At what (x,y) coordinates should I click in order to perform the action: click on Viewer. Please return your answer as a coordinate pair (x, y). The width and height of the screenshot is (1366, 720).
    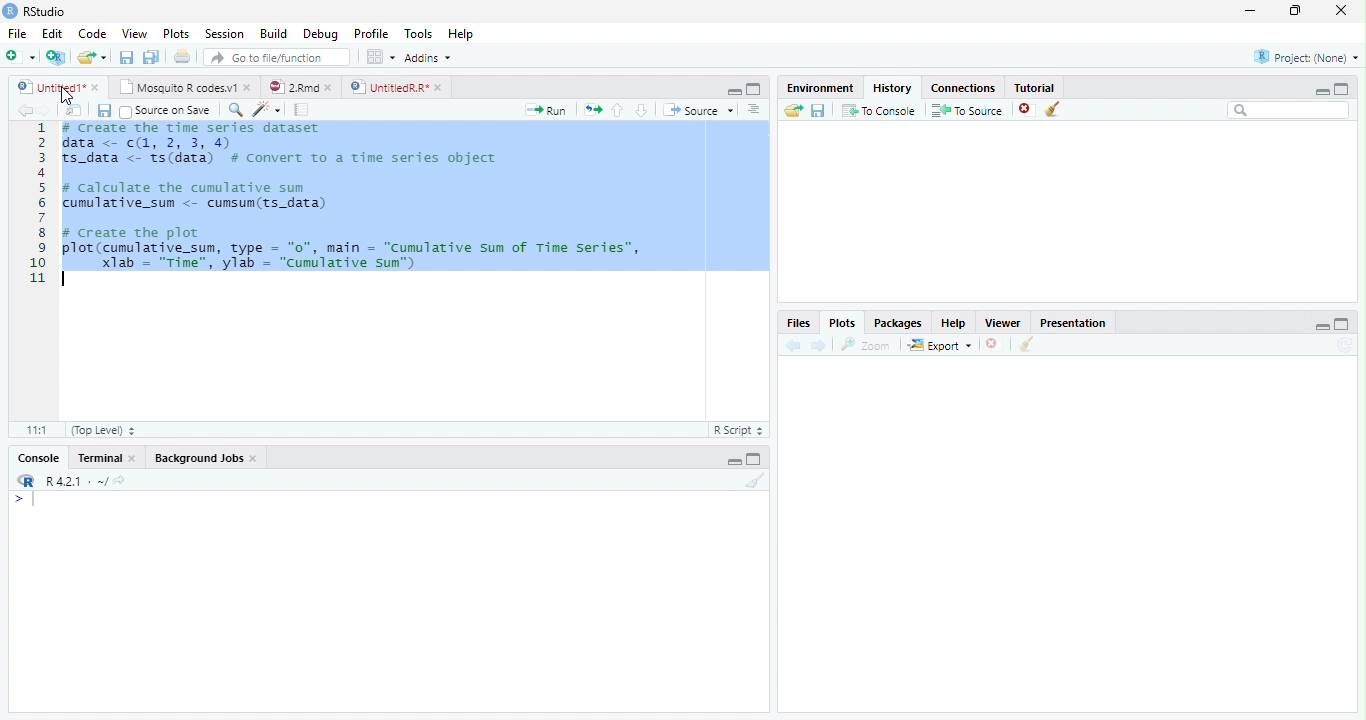
    Looking at the image, I should click on (1001, 325).